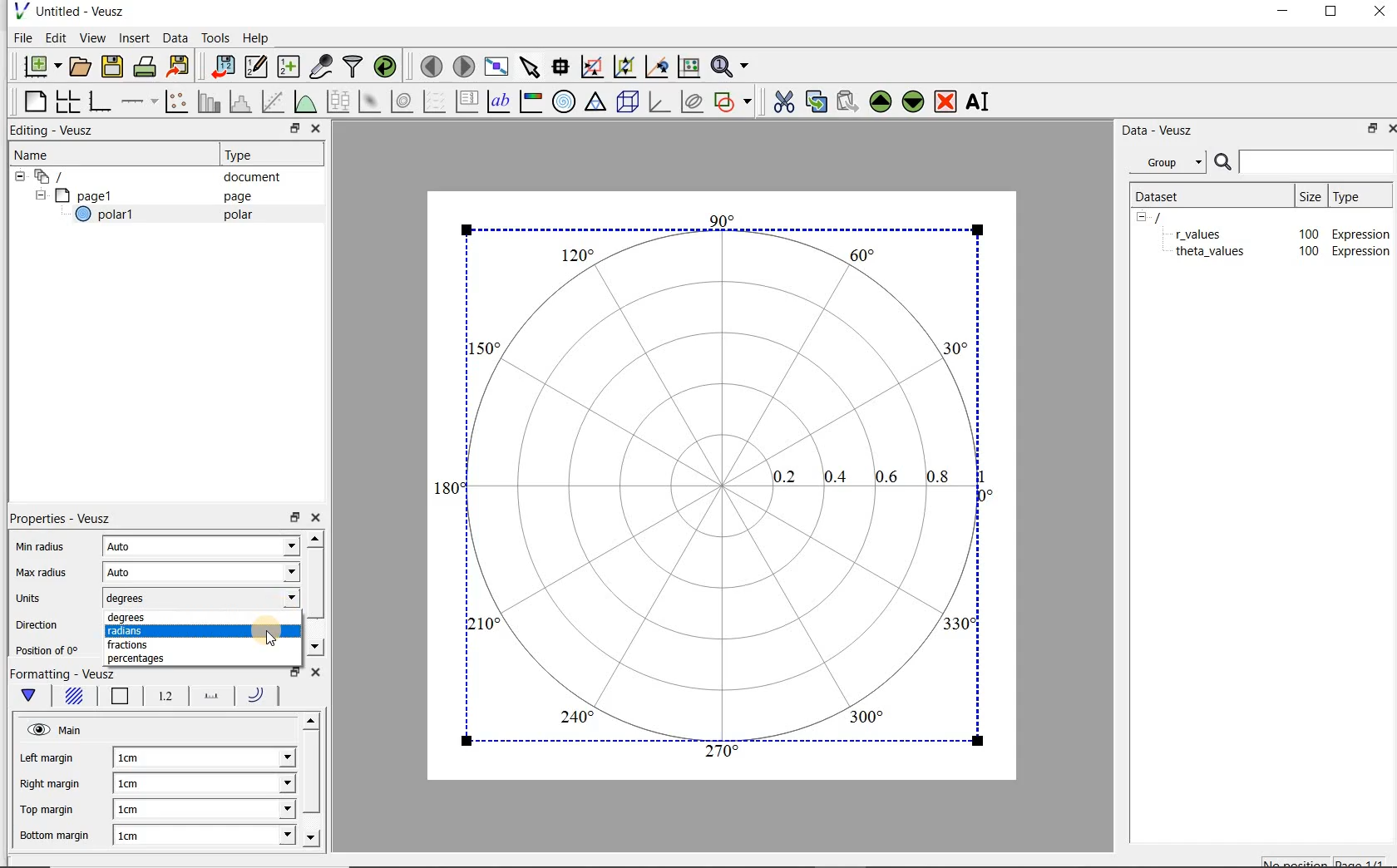 The width and height of the screenshot is (1397, 868). Describe the element at coordinates (123, 696) in the screenshot. I see `Border` at that location.